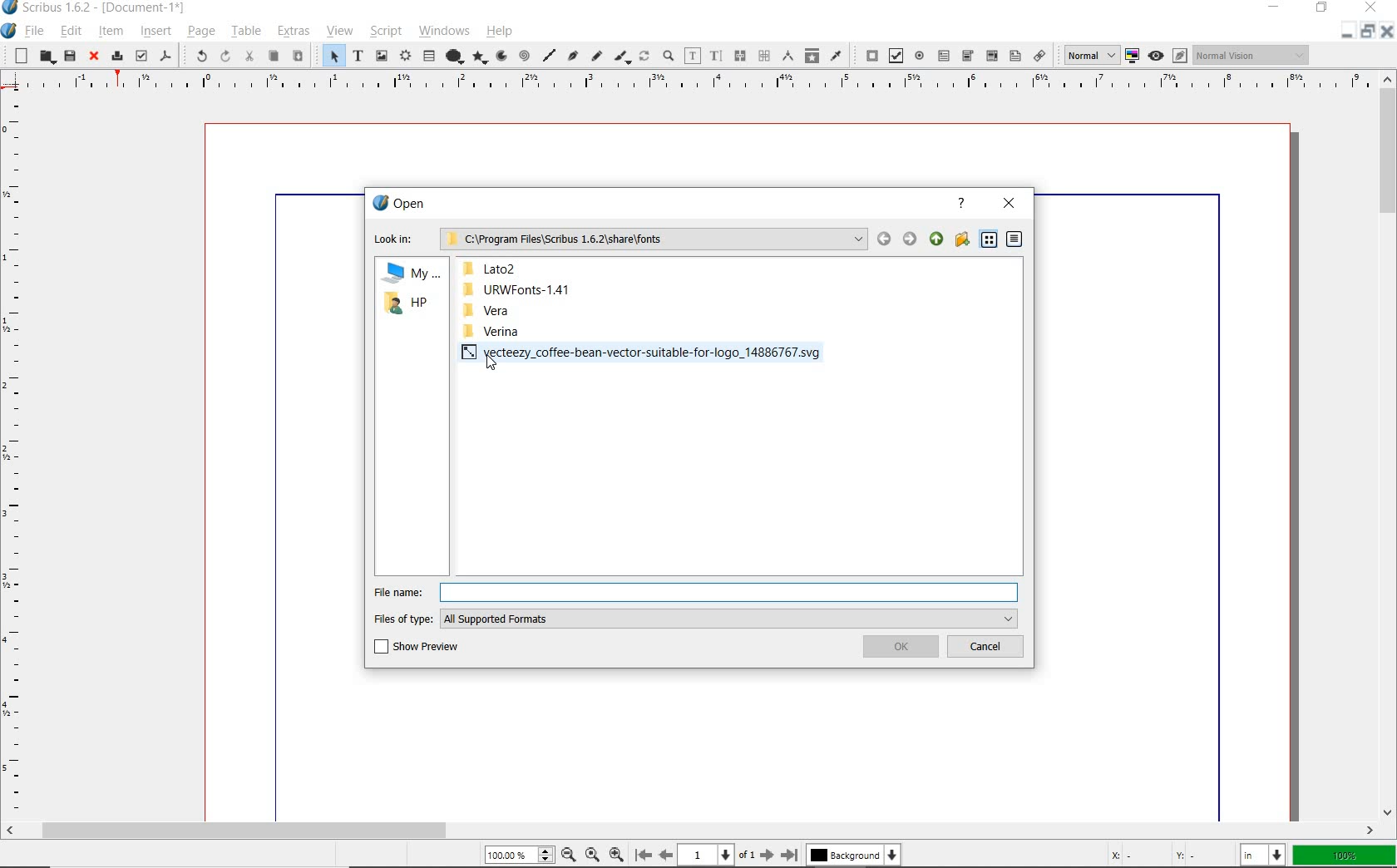 This screenshot has height=868, width=1397. What do you see at coordinates (669, 54) in the screenshot?
I see `zoom in or zoom out` at bounding box center [669, 54].